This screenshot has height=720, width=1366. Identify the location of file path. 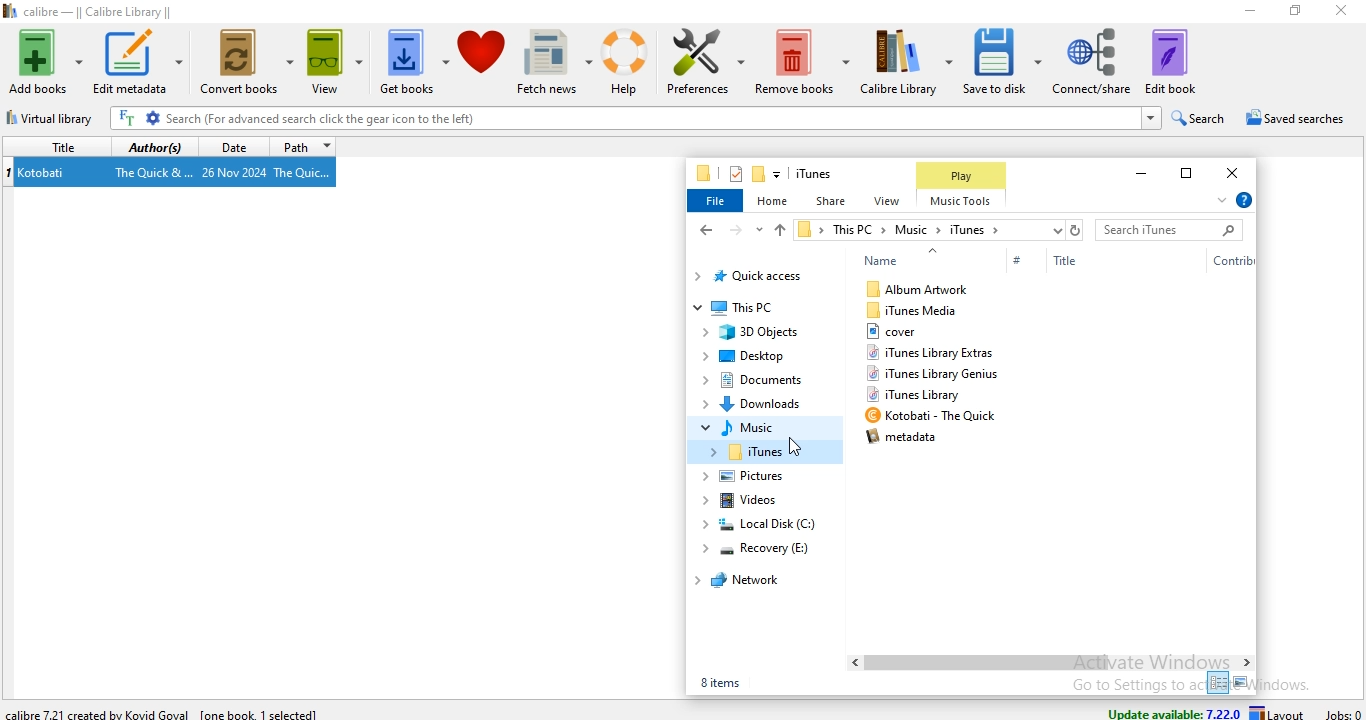
(928, 232).